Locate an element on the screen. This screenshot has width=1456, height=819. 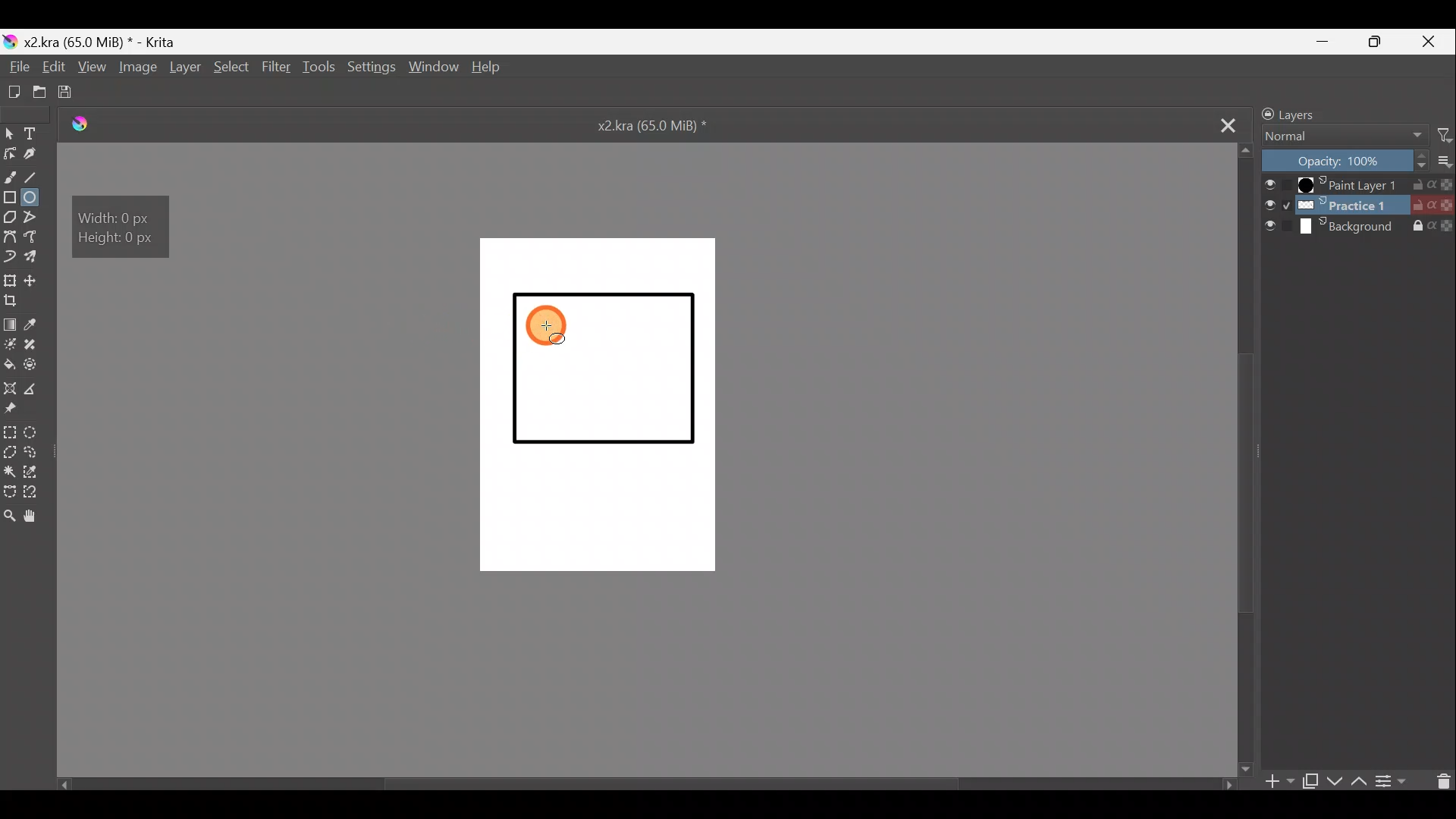
lock/unlock docker is located at coordinates (1263, 113).